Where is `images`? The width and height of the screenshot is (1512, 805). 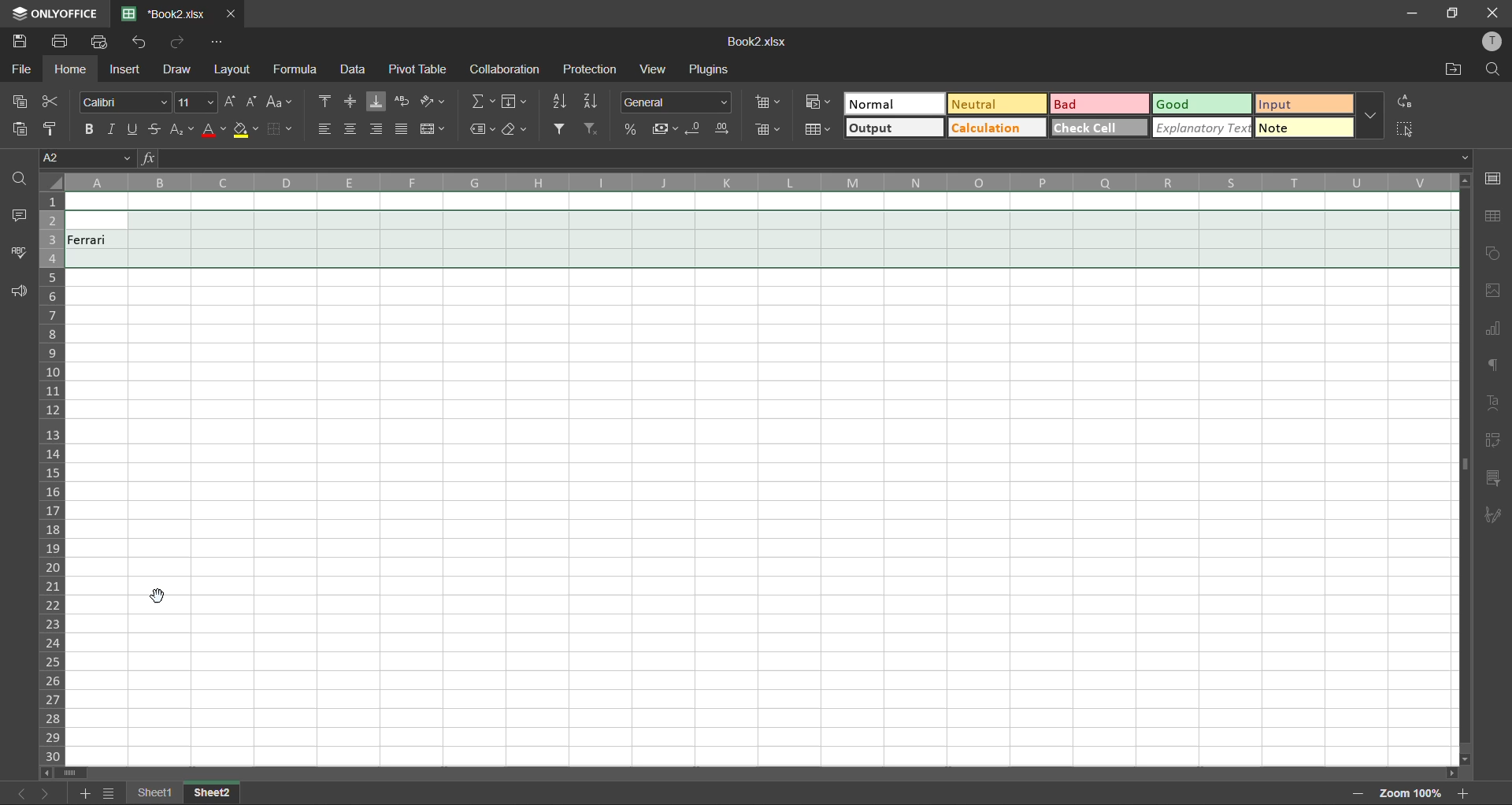
images is located at coordinates (1488, 291).